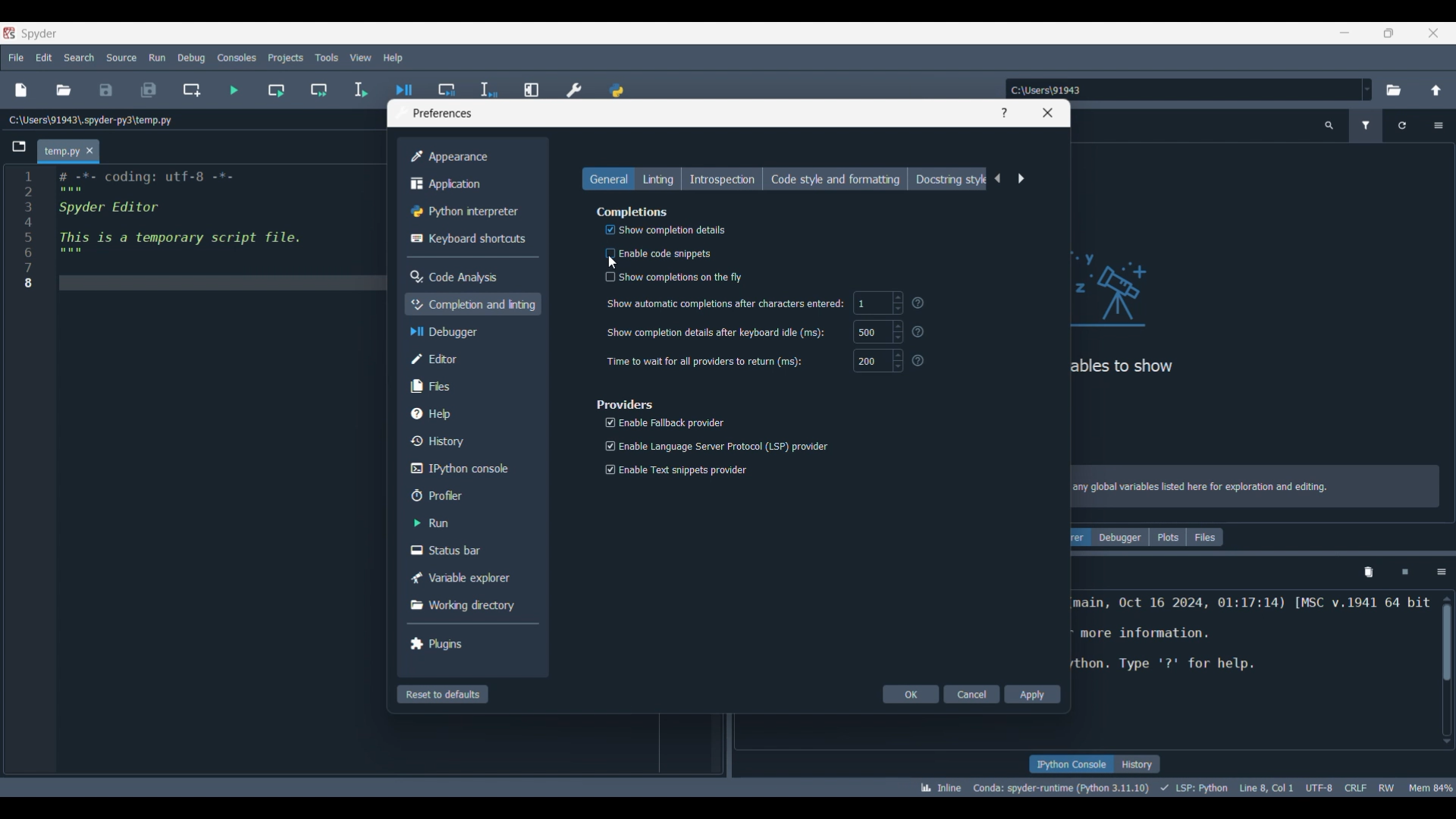 The image size is (1456, 819). I want to click on Show completion details, so click(658, 231).